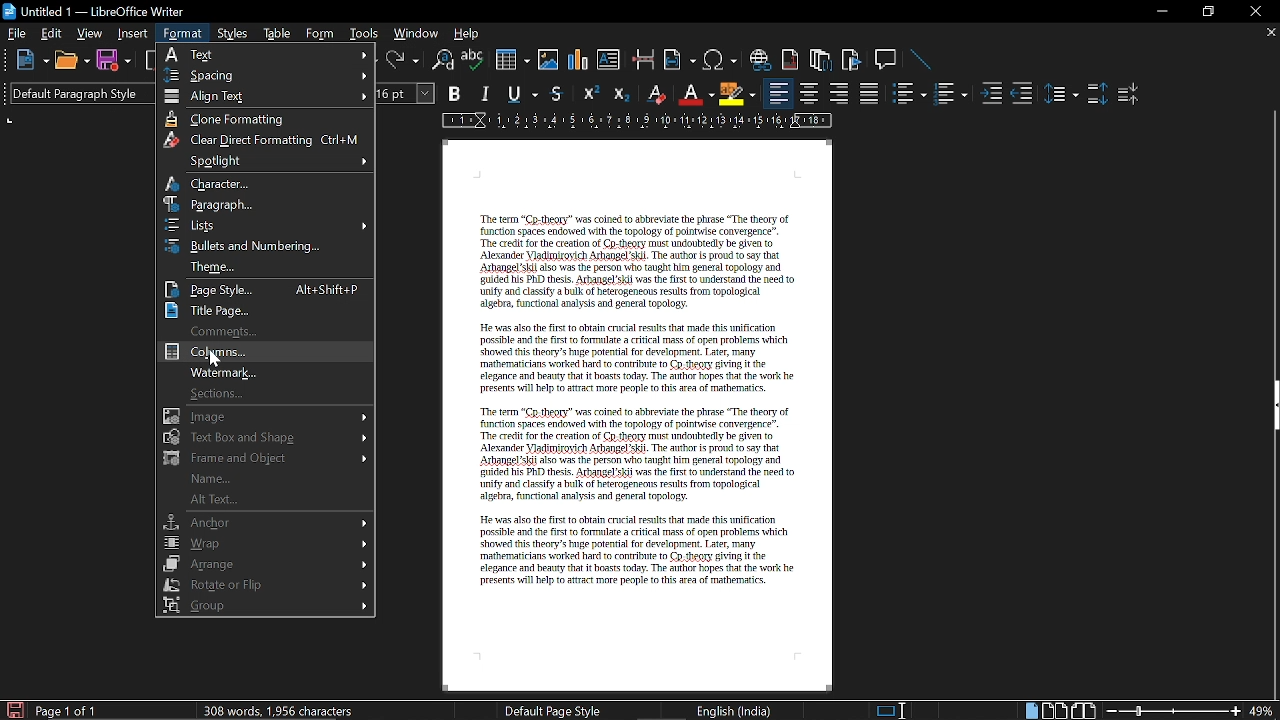 This screenshot has height=720, width=1280. Describe the element at coordinates (1267, 231) in the screenshot. I see `Scroll bar` at that location.